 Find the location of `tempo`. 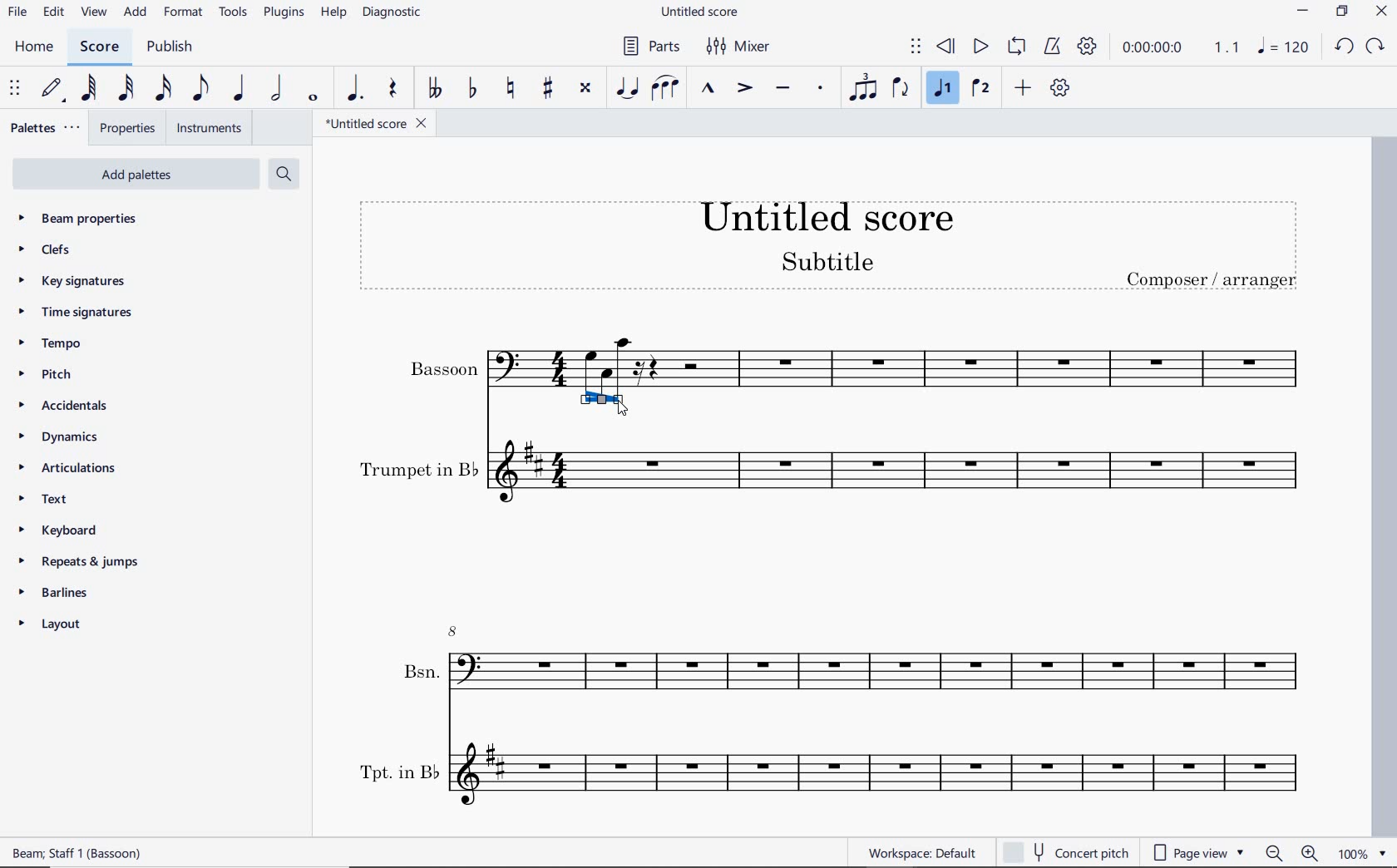

tempo is located at coordinates (54, 343).